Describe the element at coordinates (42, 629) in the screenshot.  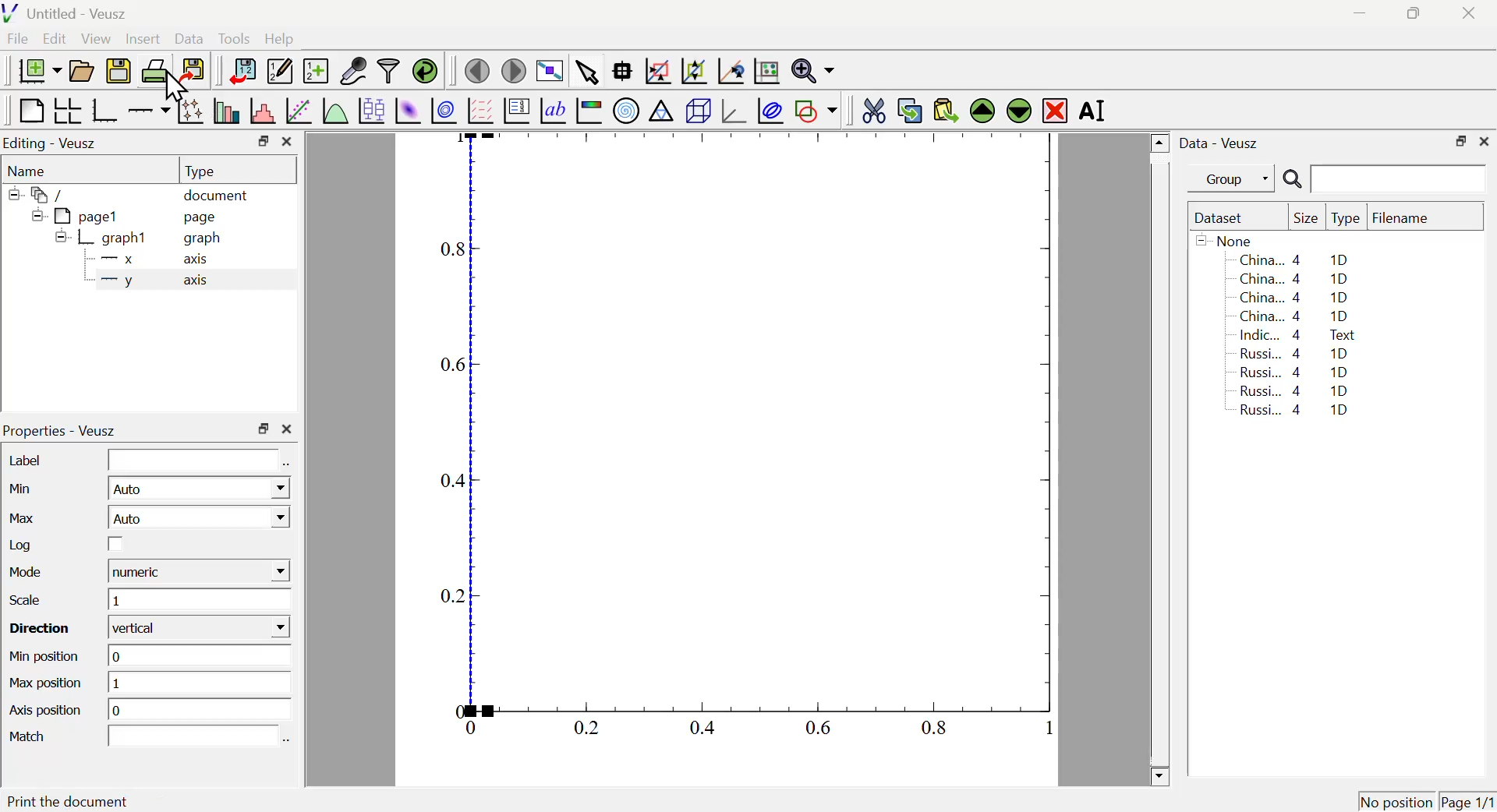
I see `Direction` at that location.